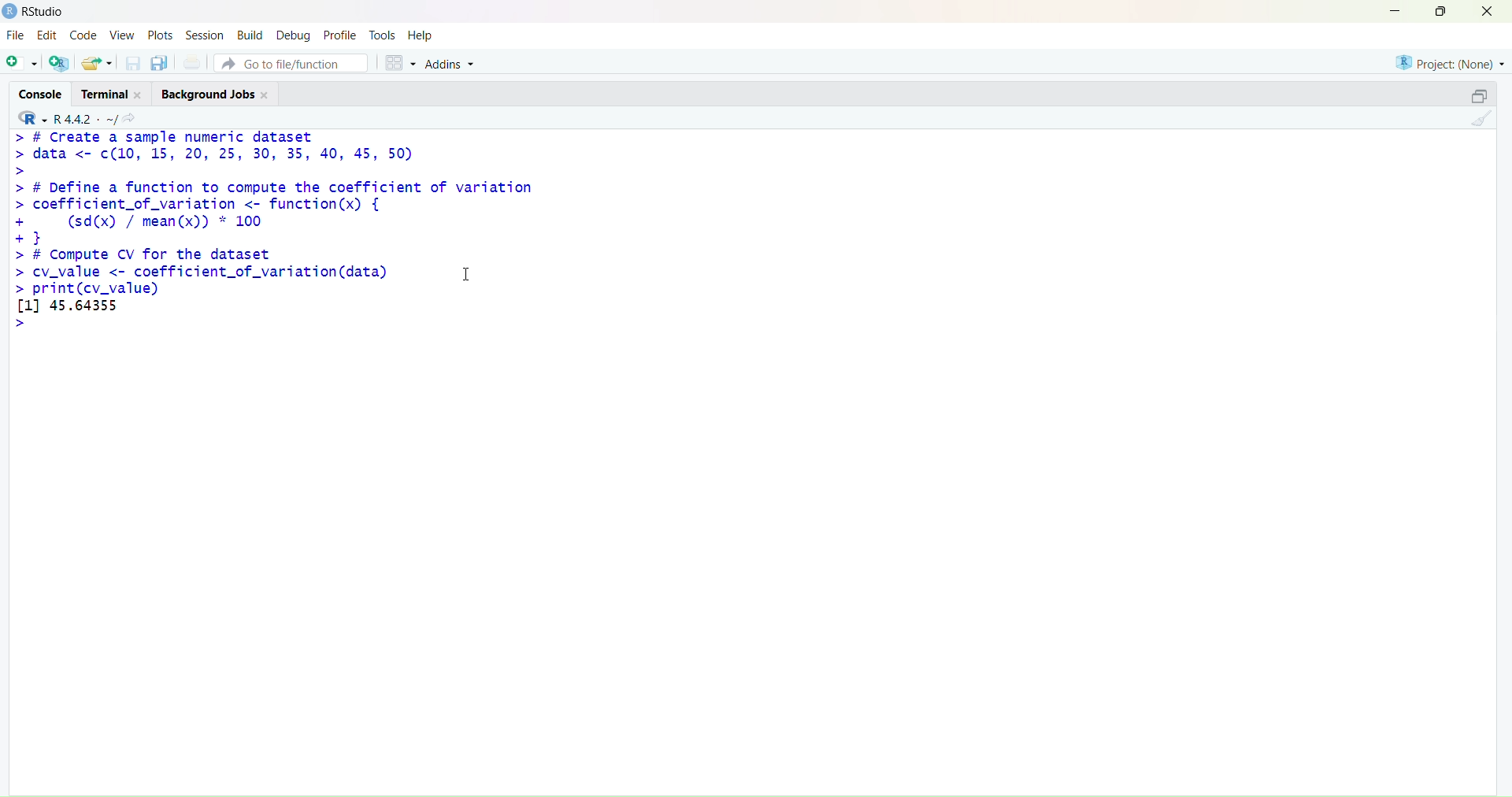  I want to click on terminal, so click(106, 95).